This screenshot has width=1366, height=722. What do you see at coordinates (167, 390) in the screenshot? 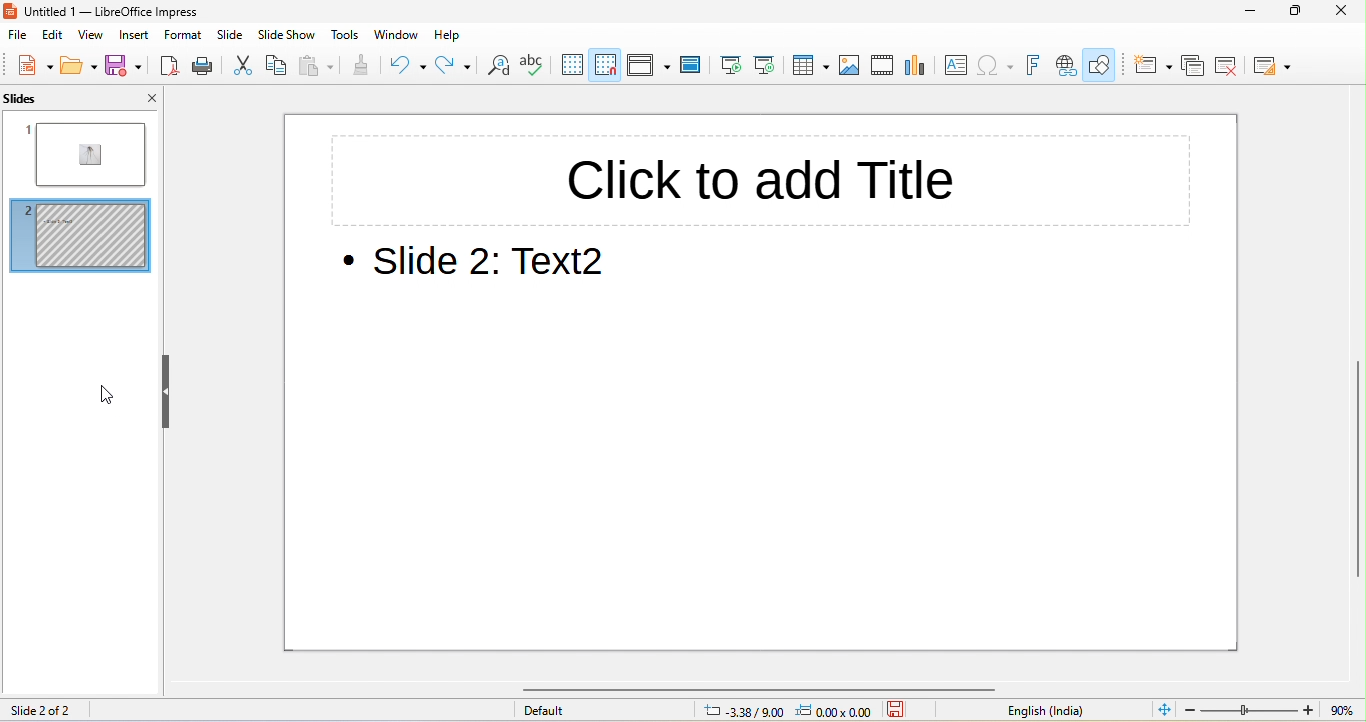
I see `hide` at bounding box center [167, 390].